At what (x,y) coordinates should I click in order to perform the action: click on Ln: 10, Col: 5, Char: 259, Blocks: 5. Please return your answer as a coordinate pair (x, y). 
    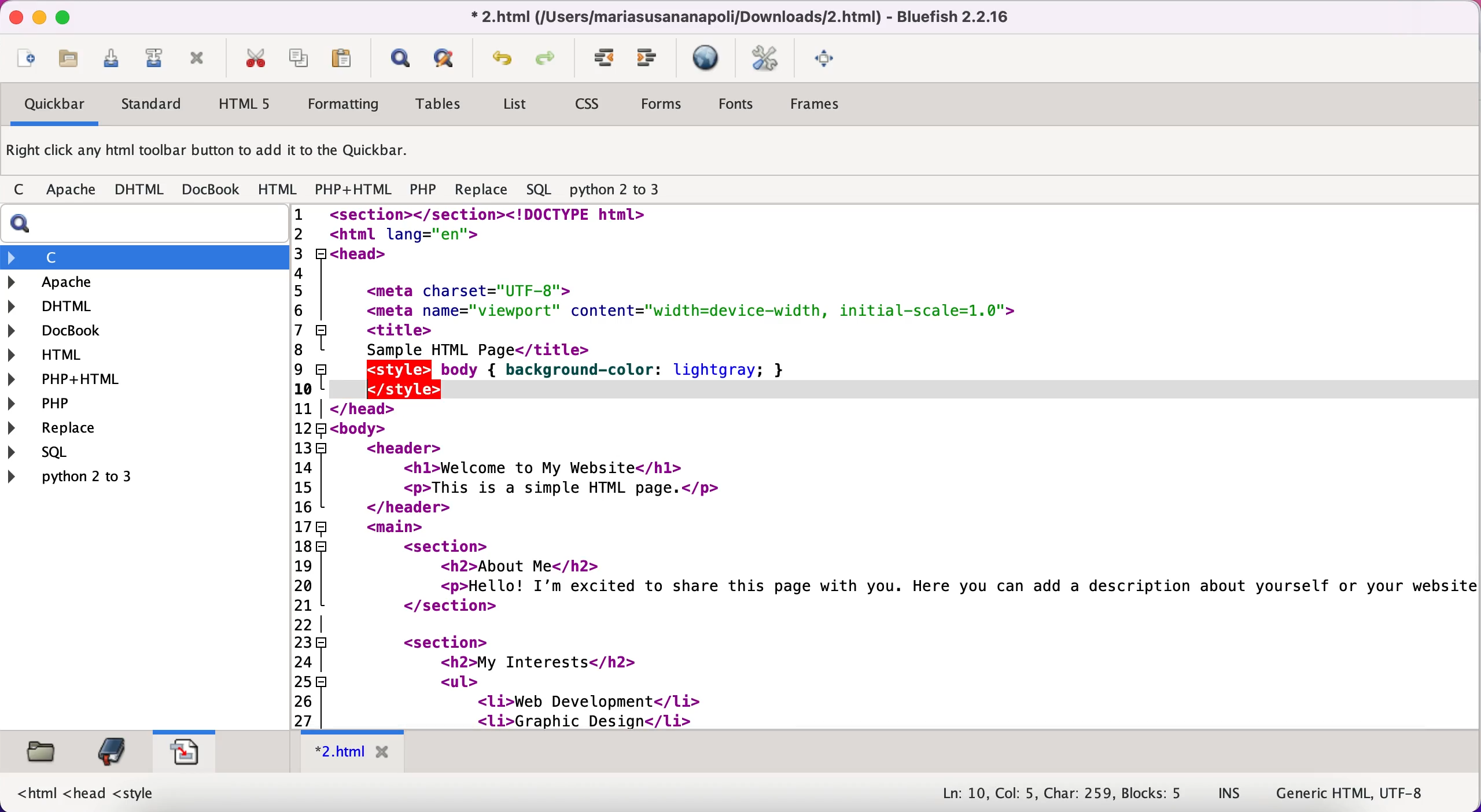
    Looking at the image, I should click on (1063, 794).